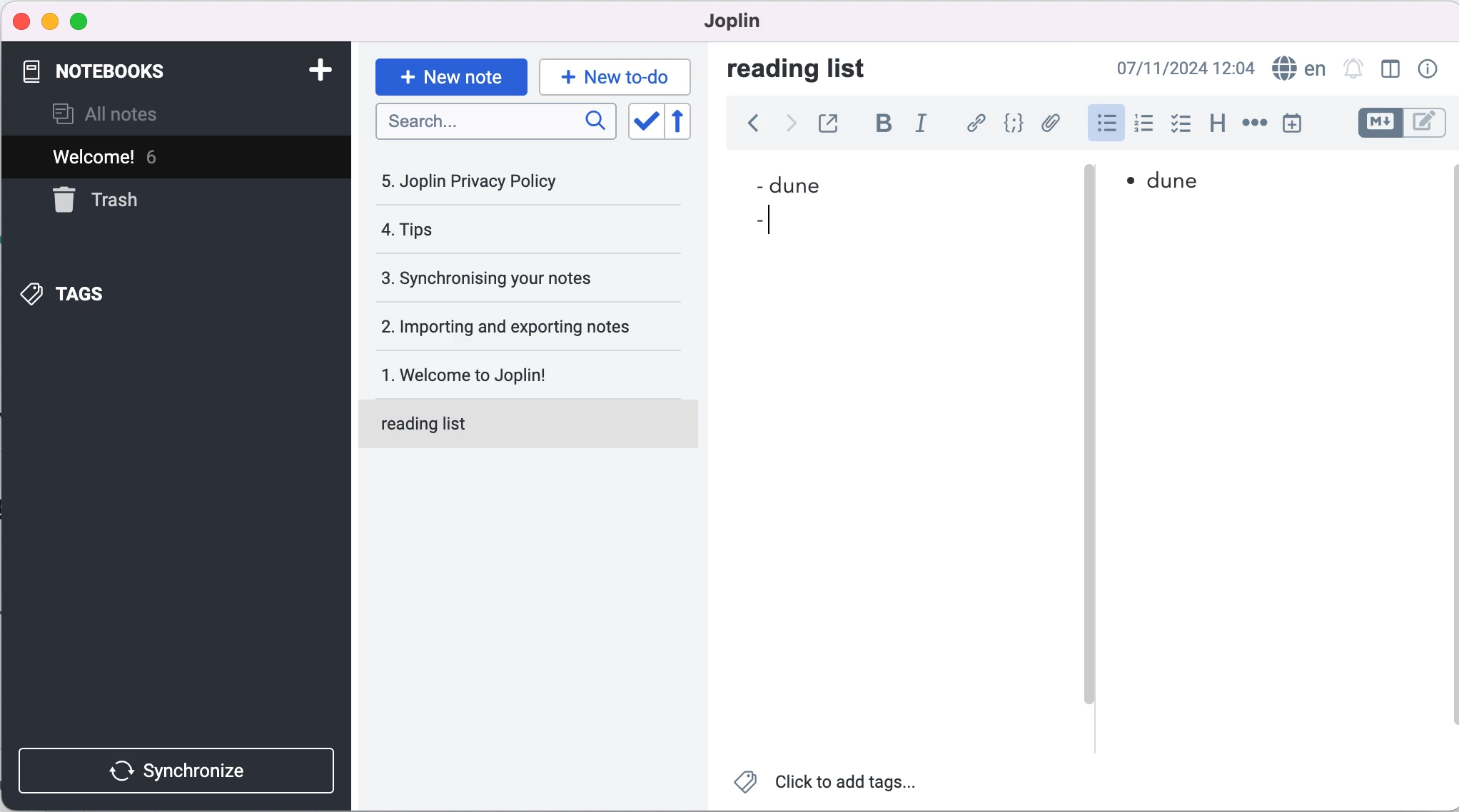 This screenshot has width=1459, height=812. What do you see at coordinates (893, 504) in the screenshot?
I see `blank canvas note 1` at bounding box center [893, 504].